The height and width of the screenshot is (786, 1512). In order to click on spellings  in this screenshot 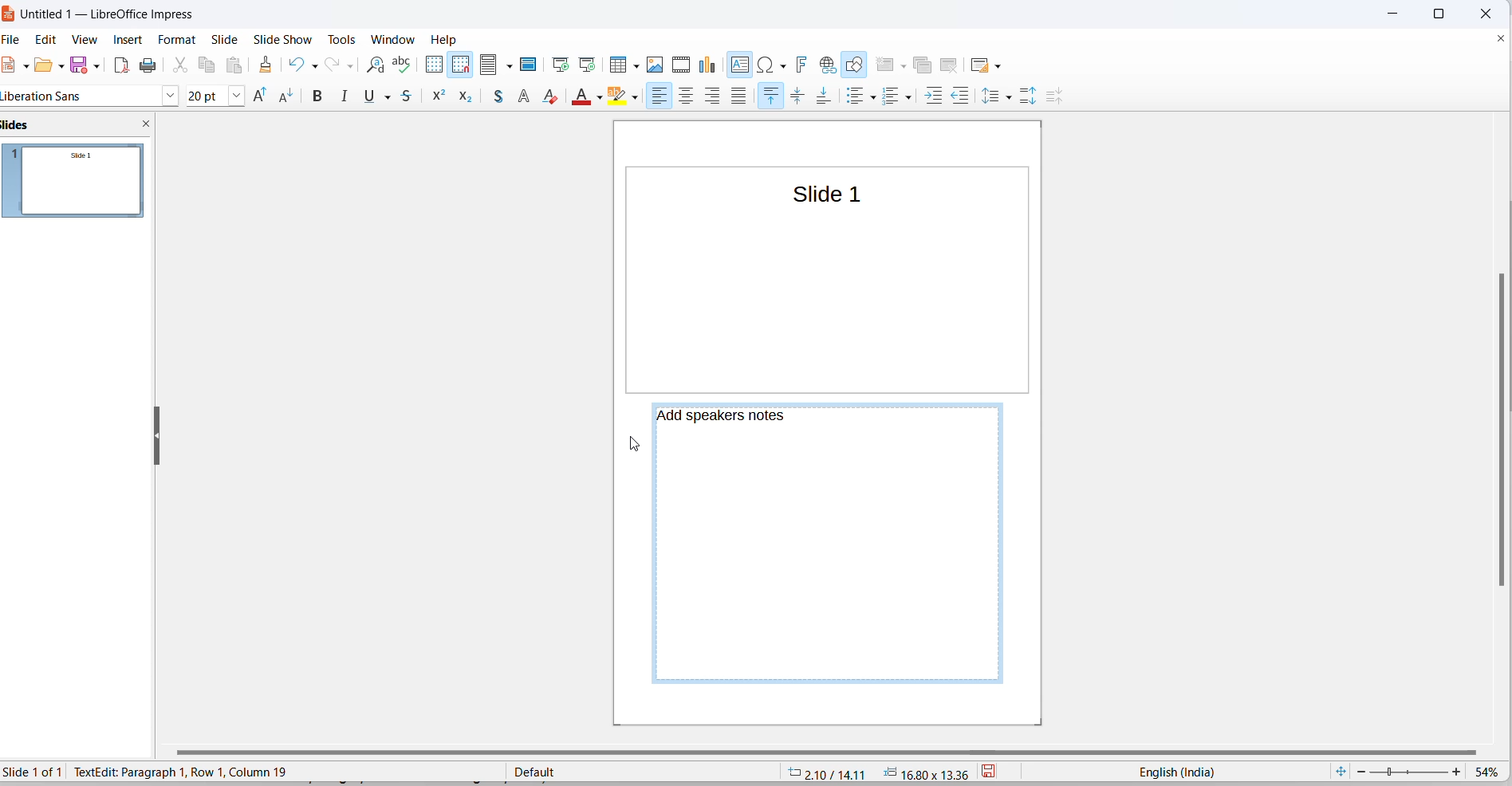, I will do `click(406, 65)`.